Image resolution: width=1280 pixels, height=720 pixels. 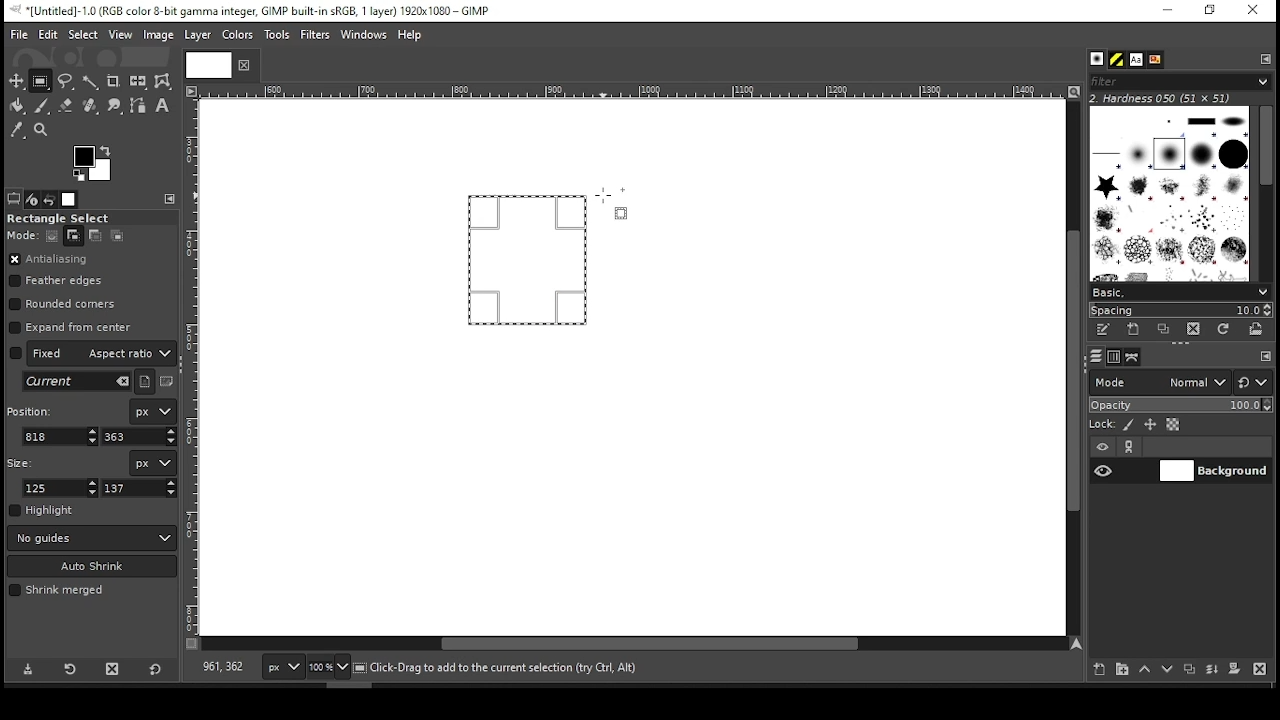 I want to click on filters, so click(x=1177, y=82).